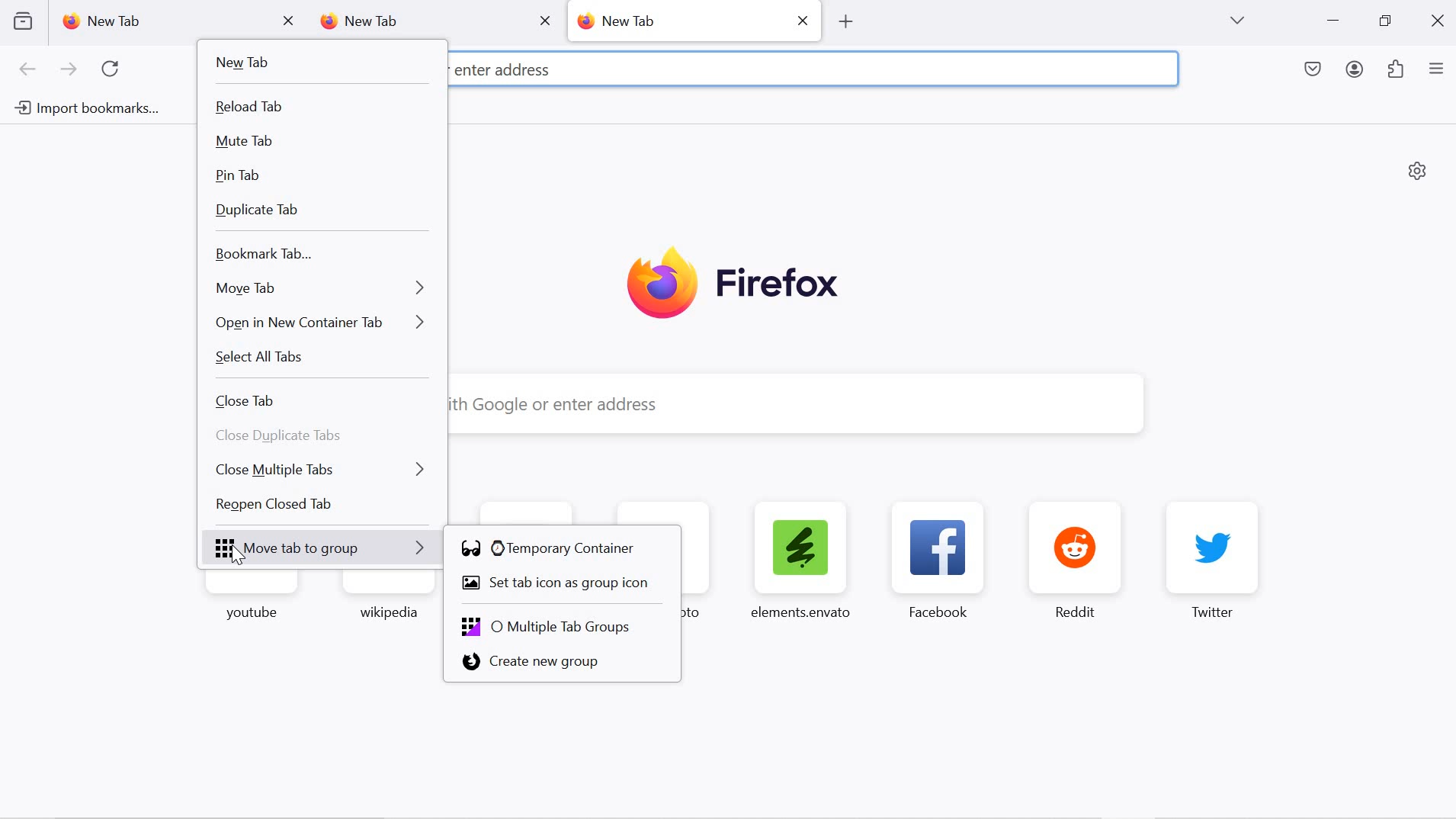 The height and width of the screenshot is (819, 1456). I want to click on mute tab, so click(320, 143).